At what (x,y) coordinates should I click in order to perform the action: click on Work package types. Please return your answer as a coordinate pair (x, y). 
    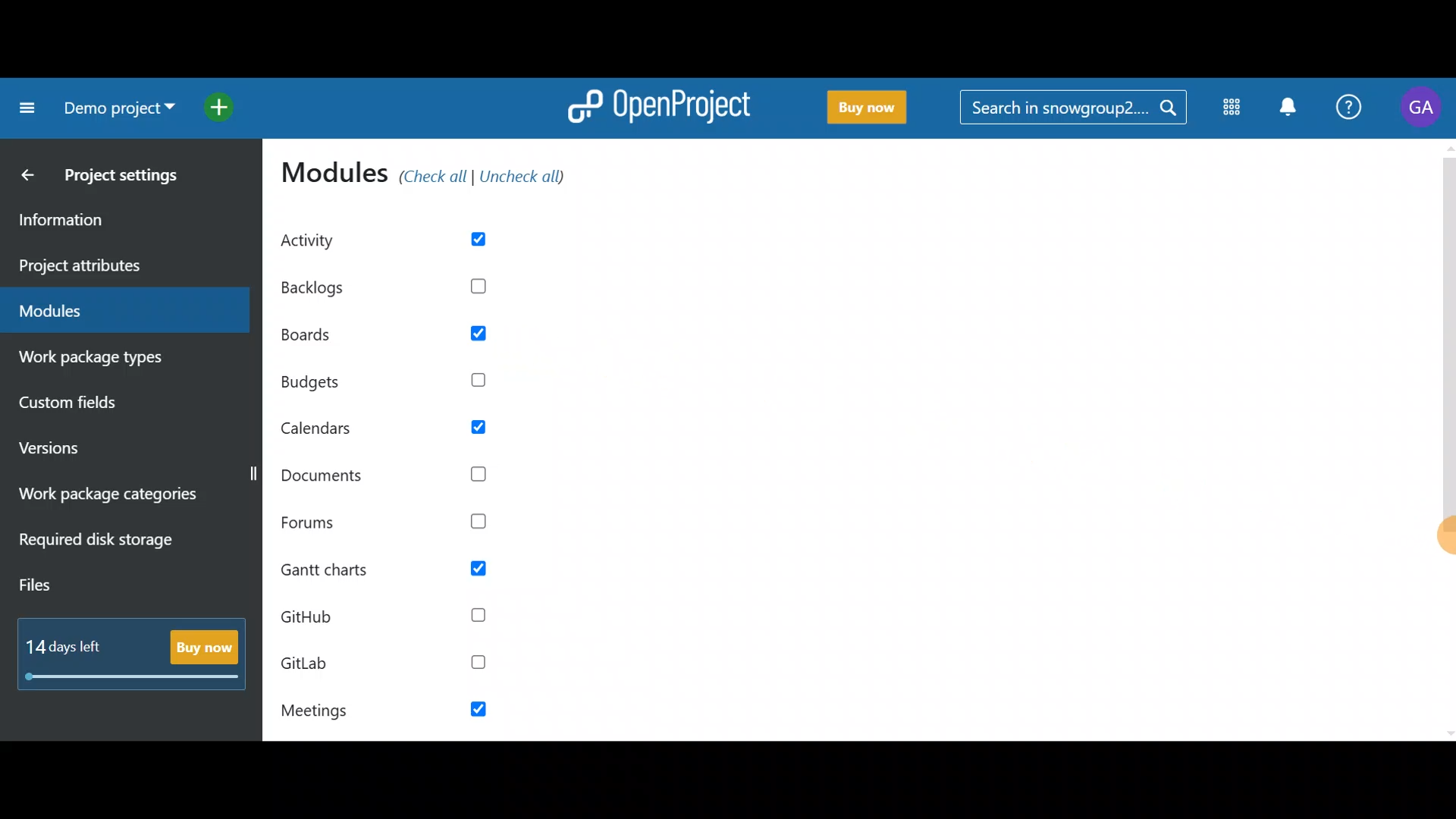
    Looking at the image, I should click on (117, 360).